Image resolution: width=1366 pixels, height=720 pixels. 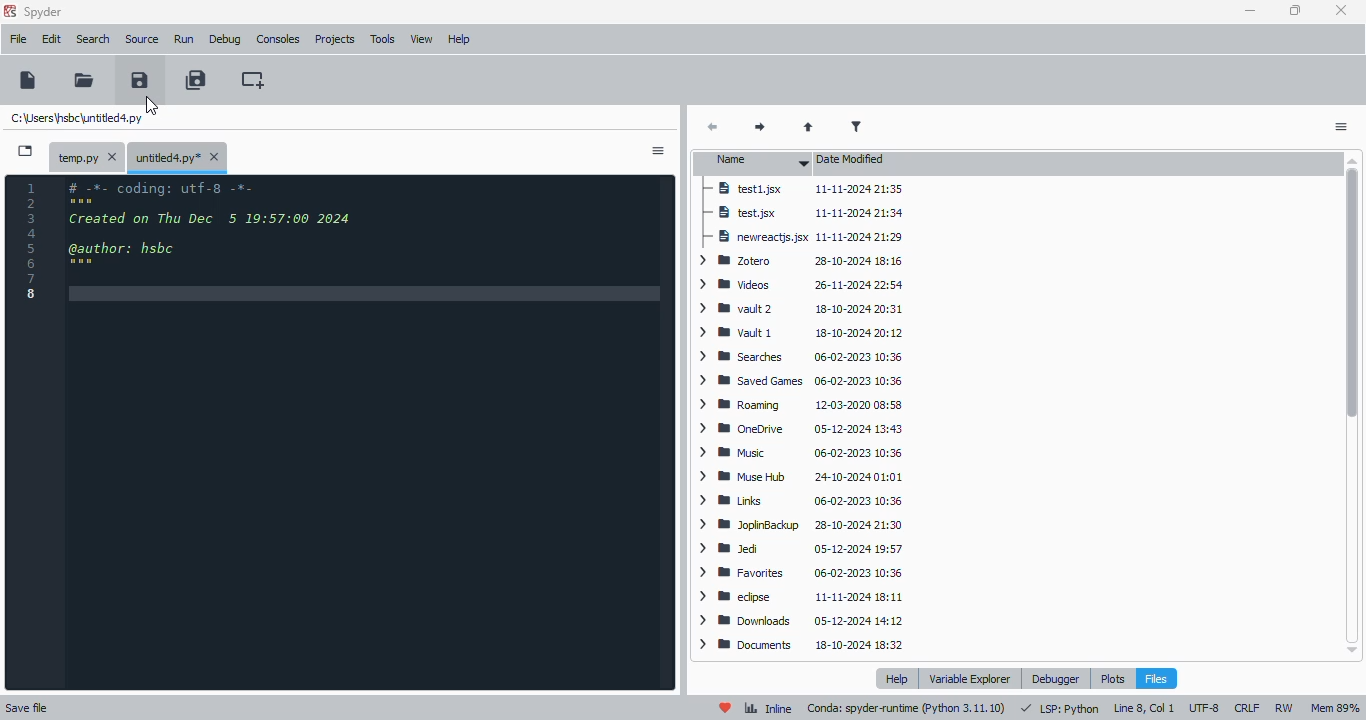 What do you see at coordinates (278, 38) in the screenshot?
I see `consoles` at bounding box center [278, 38].